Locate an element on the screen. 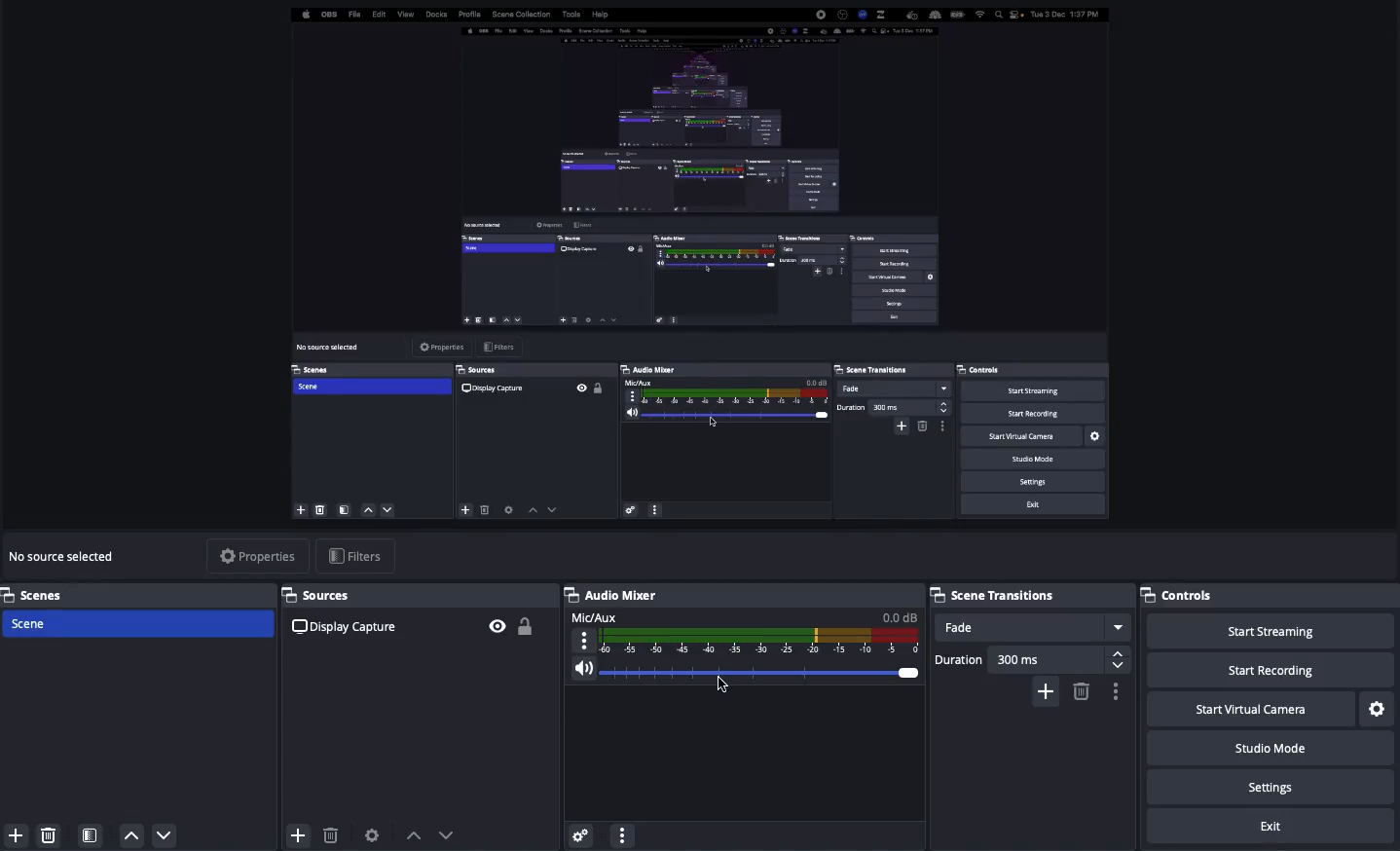 The width and height of the screenshot is (1400, 851). Scene transitions is located at coordinates (998, 596).